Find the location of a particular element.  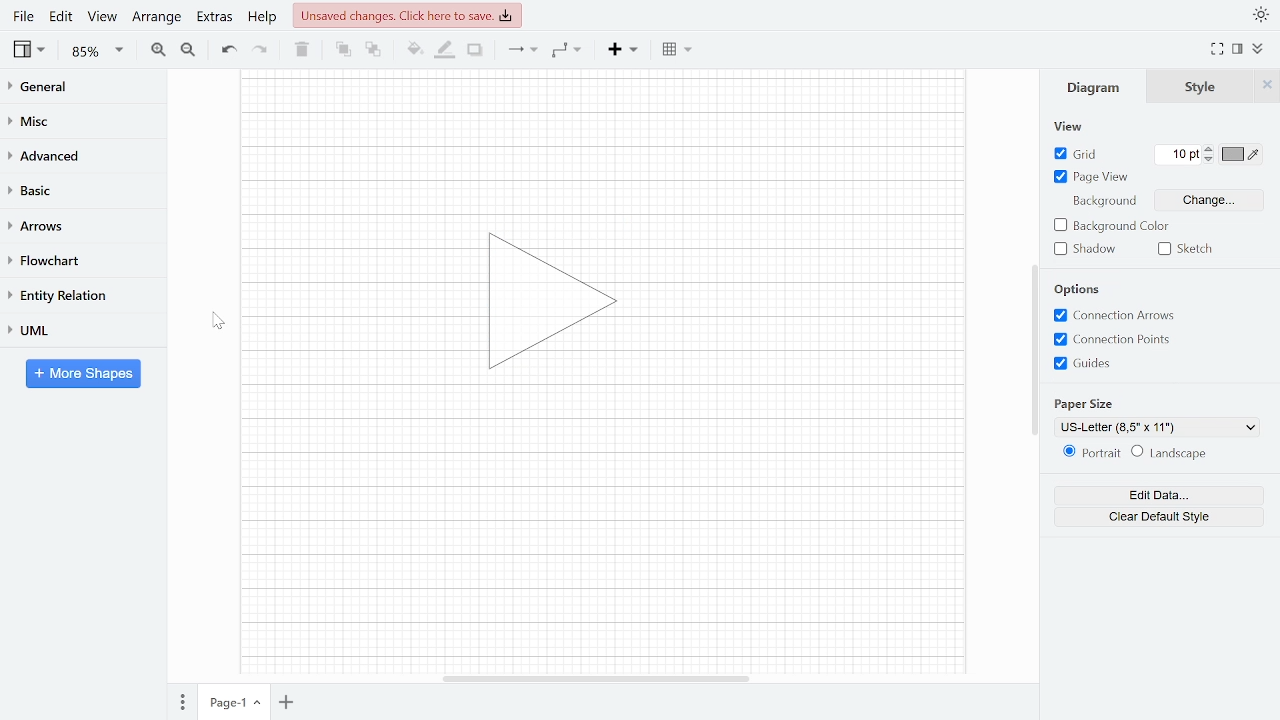

basic is located at coordinates (76, 189).